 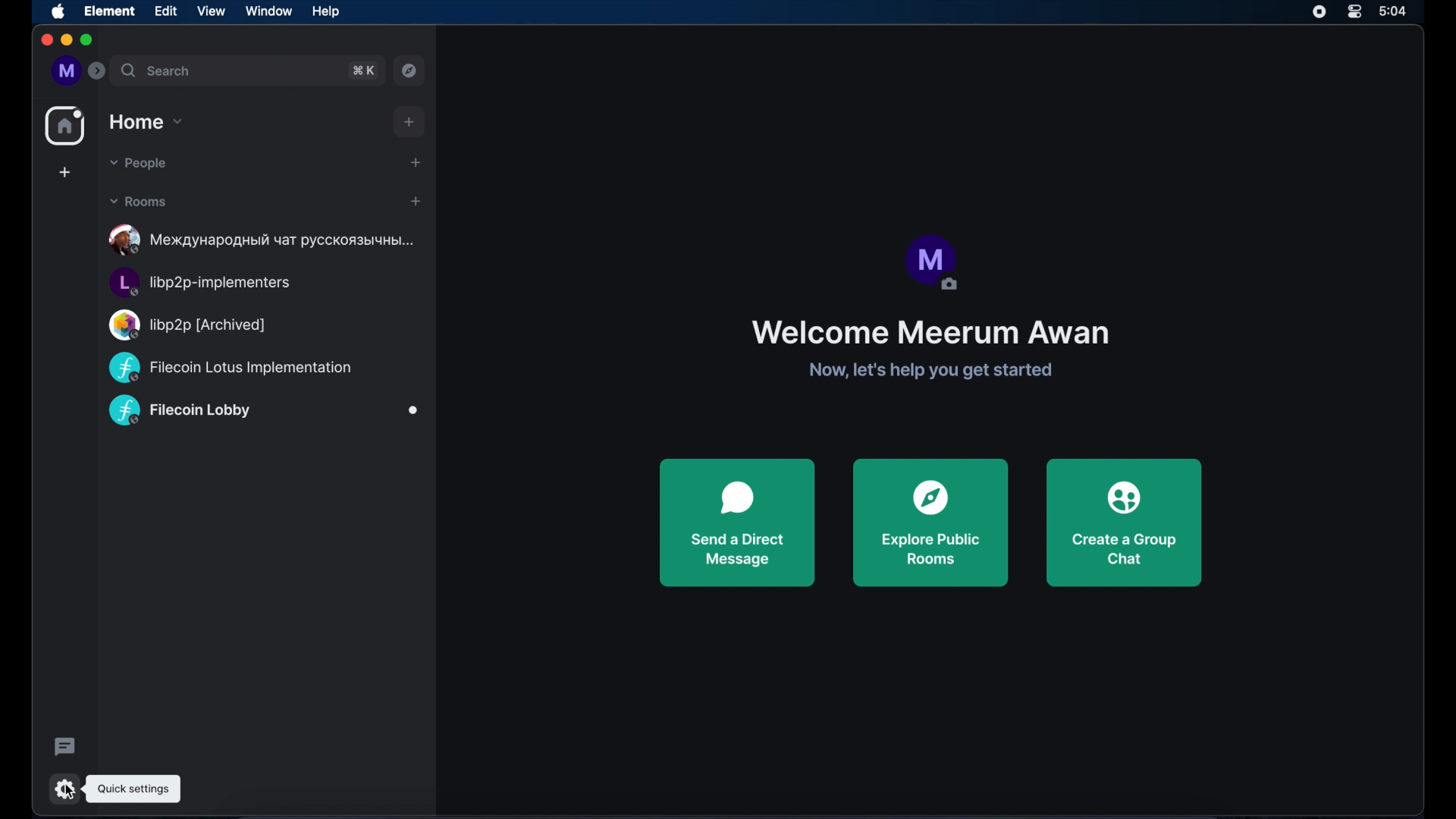 What do you see at coordinates (930, 521) in the screenshot?
I see `explore public rooms` at bounding box center [930, 521].